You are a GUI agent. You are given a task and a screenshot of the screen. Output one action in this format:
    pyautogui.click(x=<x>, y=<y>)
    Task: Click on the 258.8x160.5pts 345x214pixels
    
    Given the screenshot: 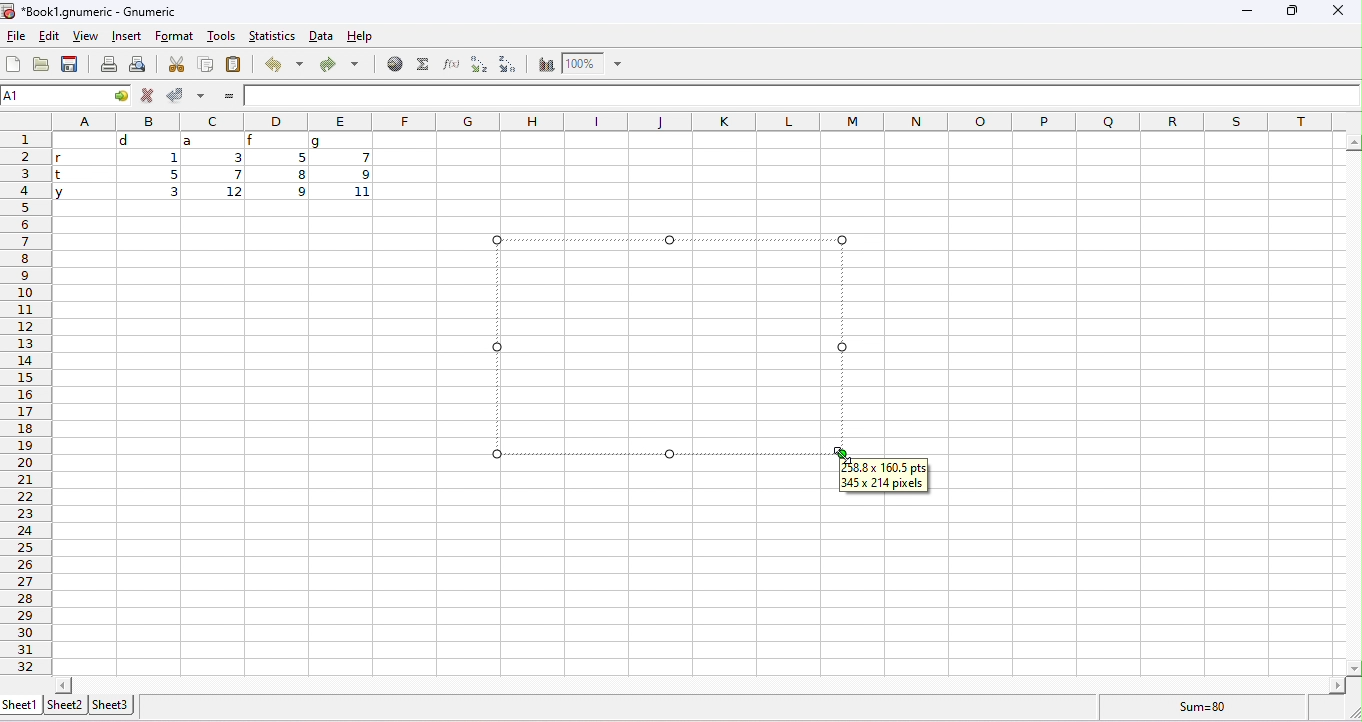 What is the action you would take?
    pyautogui.click(x=890, y=477)
    